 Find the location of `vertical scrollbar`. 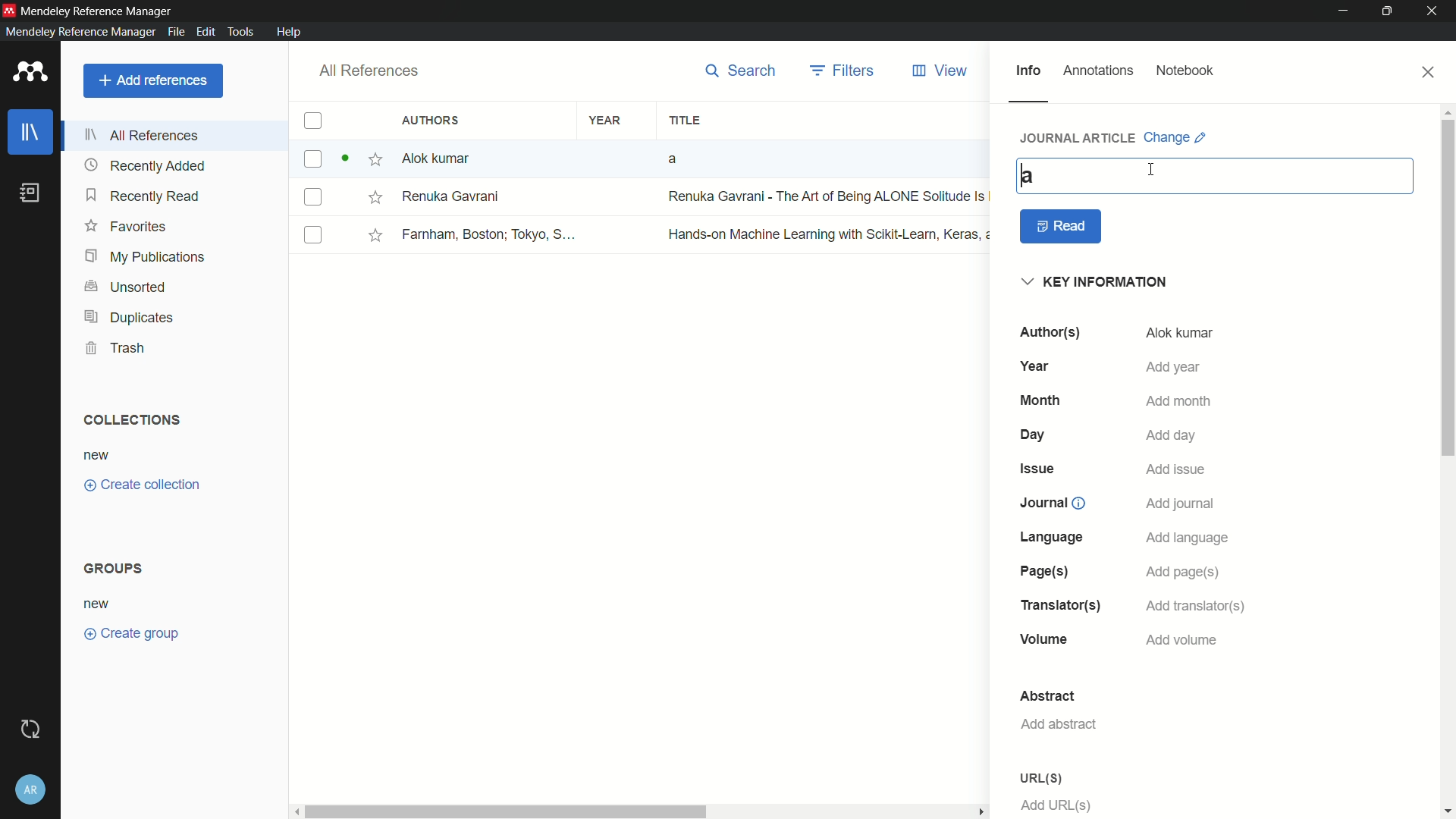

vertical scrollbar is located at coordinates (1447, 460).